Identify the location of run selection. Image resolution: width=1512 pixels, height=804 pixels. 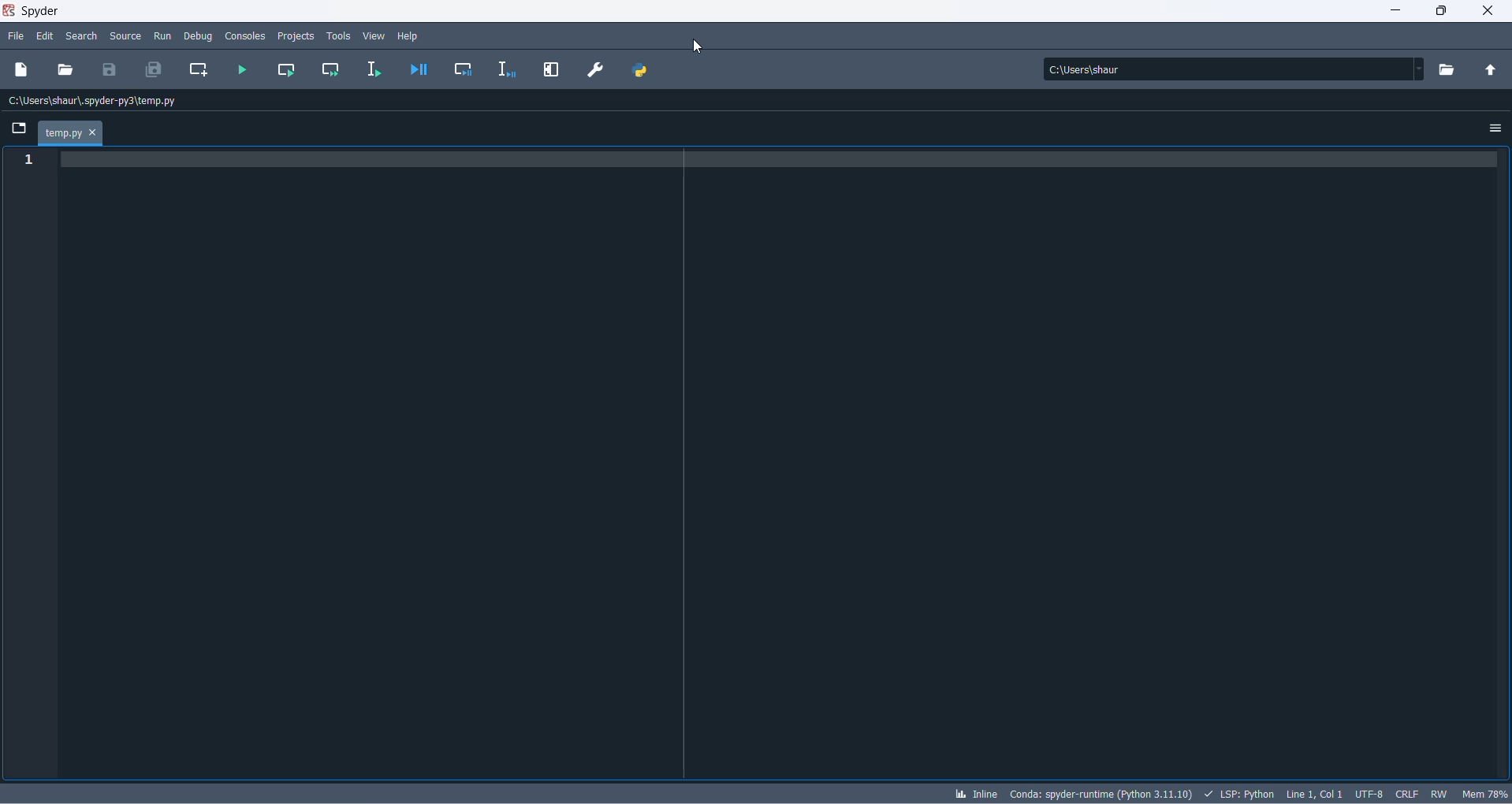
(371, 70).